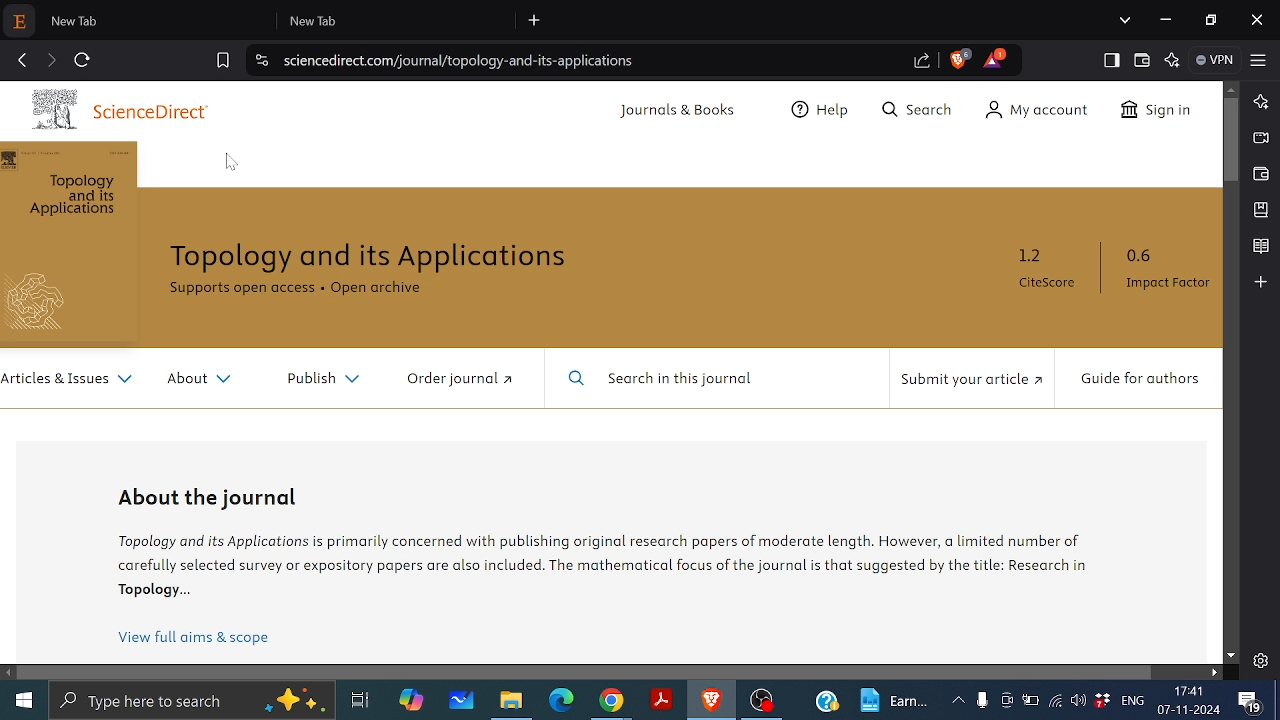 Image resolution: width=1280 pixels, height=720 pixels. Describe the element at coordinates (958, 699) in the screenshot. I see `show hidden icons` at that location.